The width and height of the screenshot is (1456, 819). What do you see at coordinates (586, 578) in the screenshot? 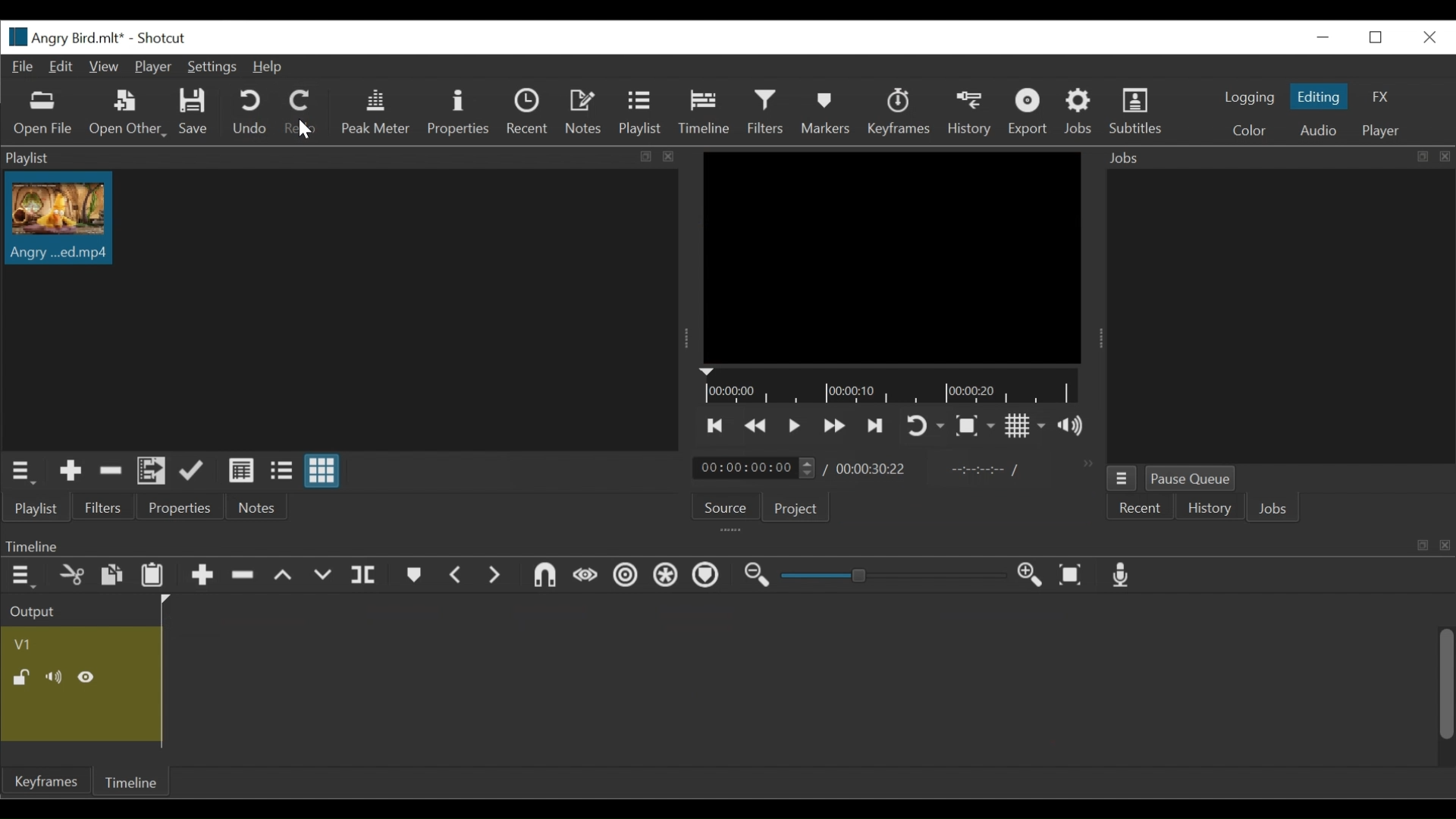
I see `Scrub while dragging` at bounding box center [586, 578].